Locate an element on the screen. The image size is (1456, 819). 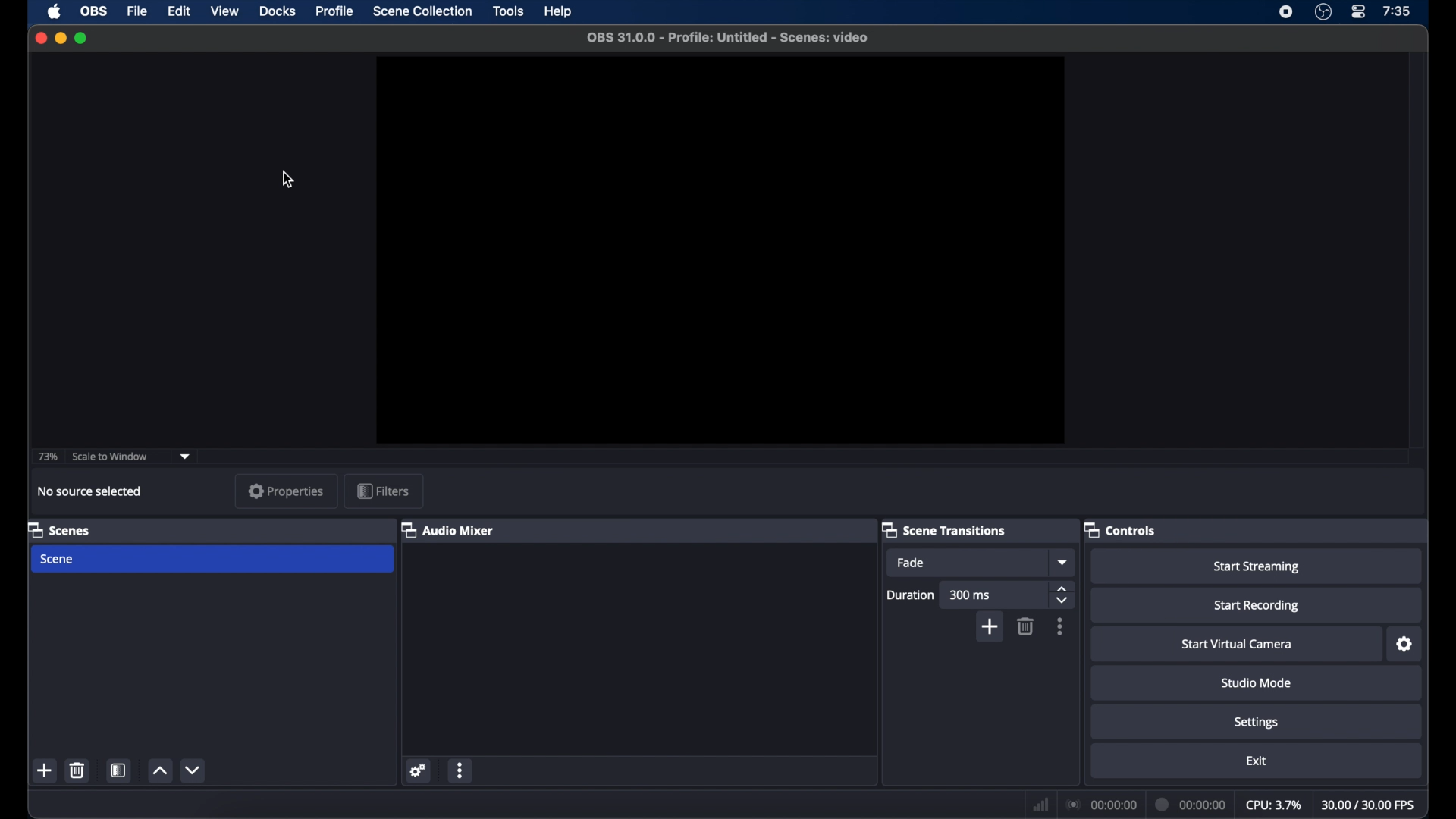
scene transitions is located at coordinates (943, 529).